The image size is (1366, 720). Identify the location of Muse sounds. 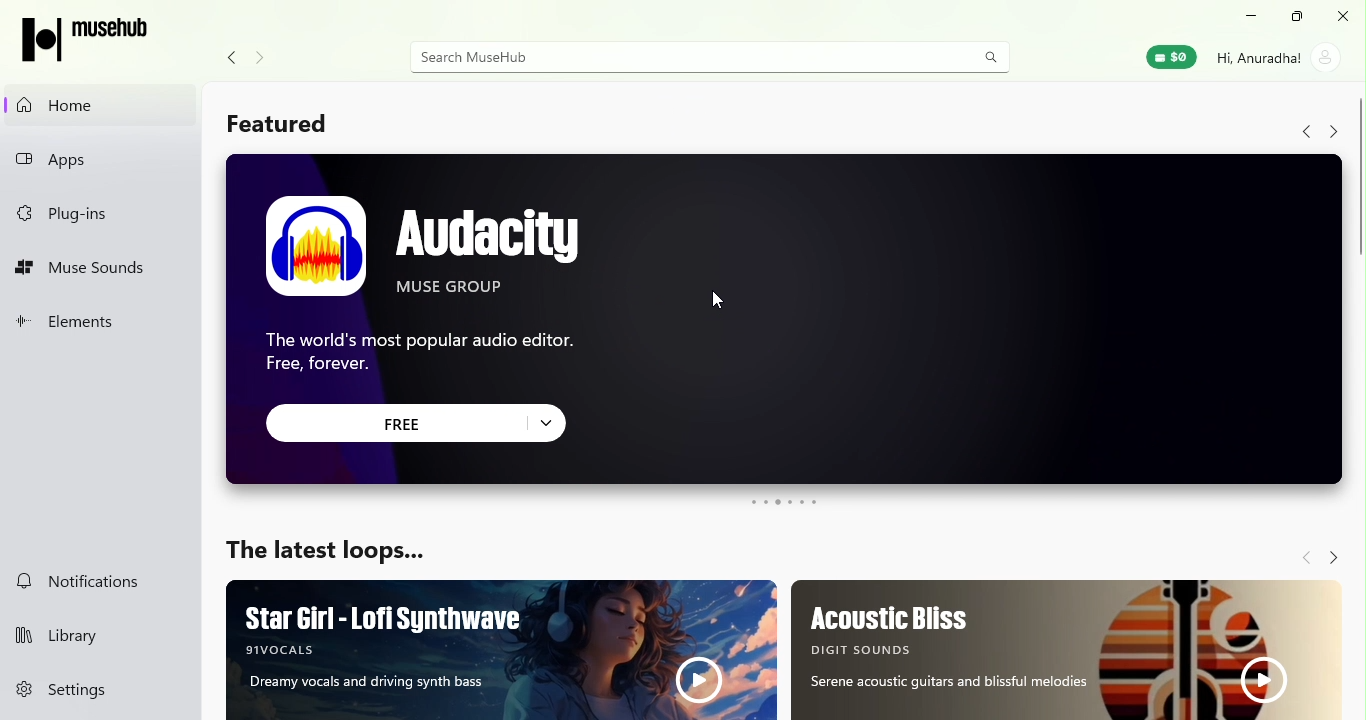
(106, 271).